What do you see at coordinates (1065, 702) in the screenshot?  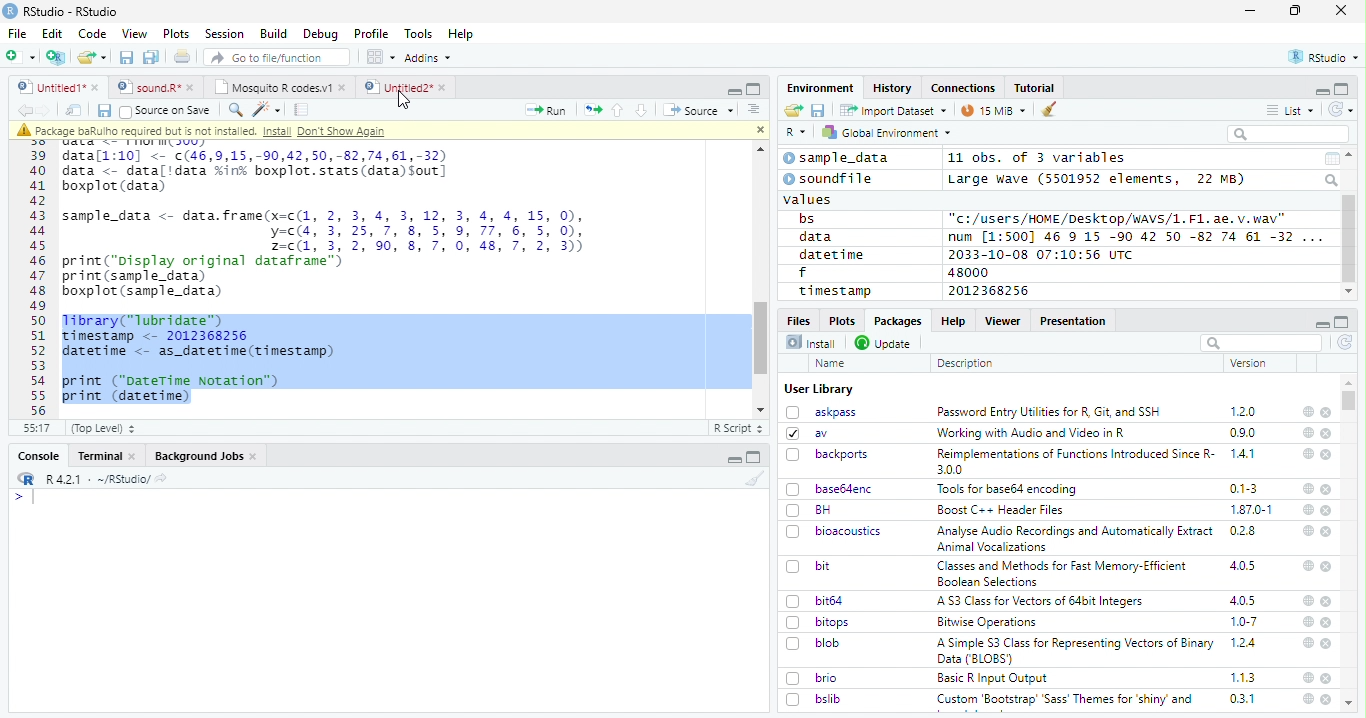 I see `Custom ‘Bootstrap’ ‘Sass’ Themes for ‘shiny’ and` at bounding box center [1065, 702].